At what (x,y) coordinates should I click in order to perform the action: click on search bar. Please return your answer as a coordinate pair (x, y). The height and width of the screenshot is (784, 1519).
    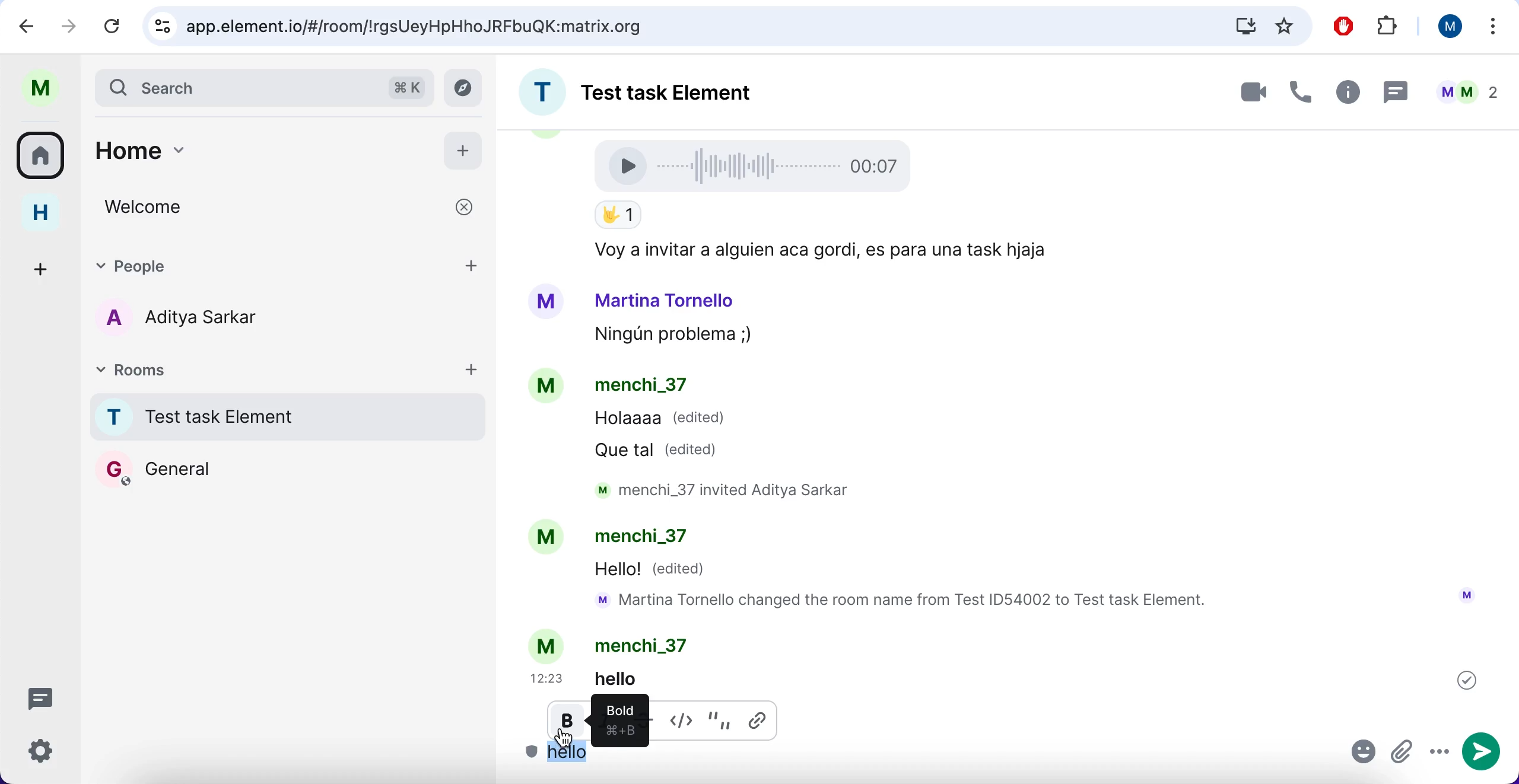
    Looking at the image, I should click on (262, 87).